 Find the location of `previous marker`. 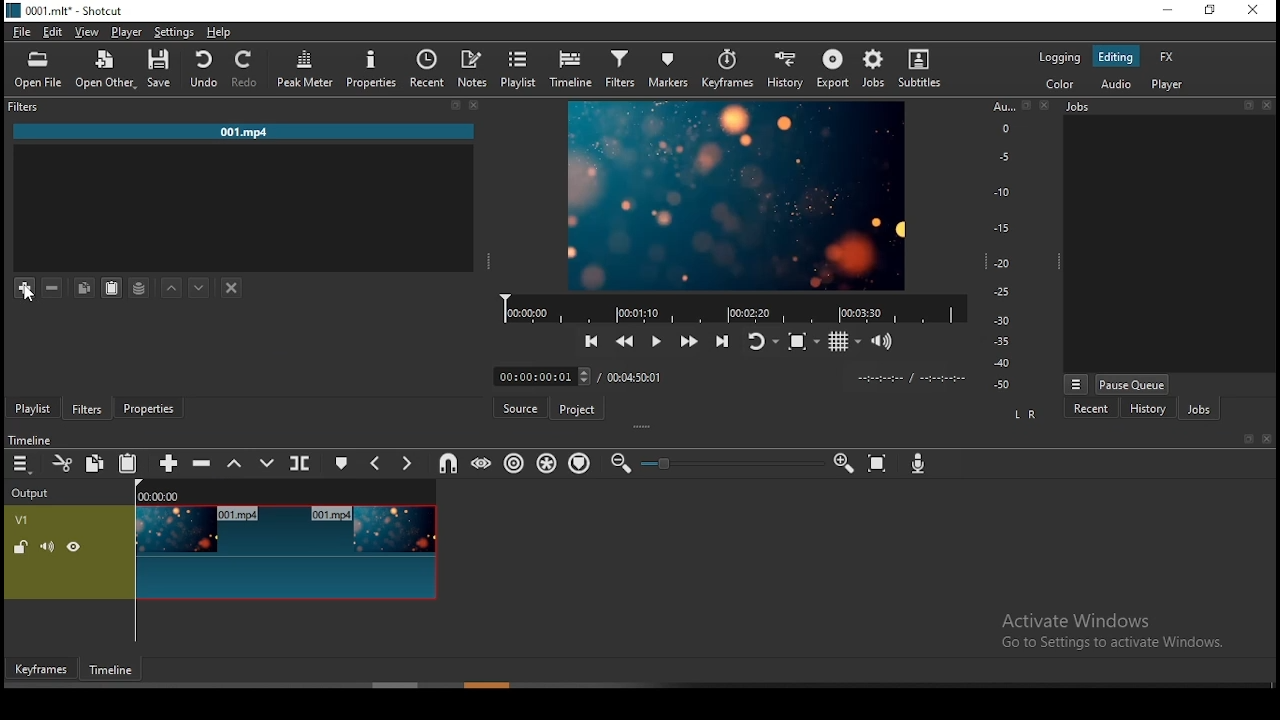

previous marker is located at coordinates (375, 461).